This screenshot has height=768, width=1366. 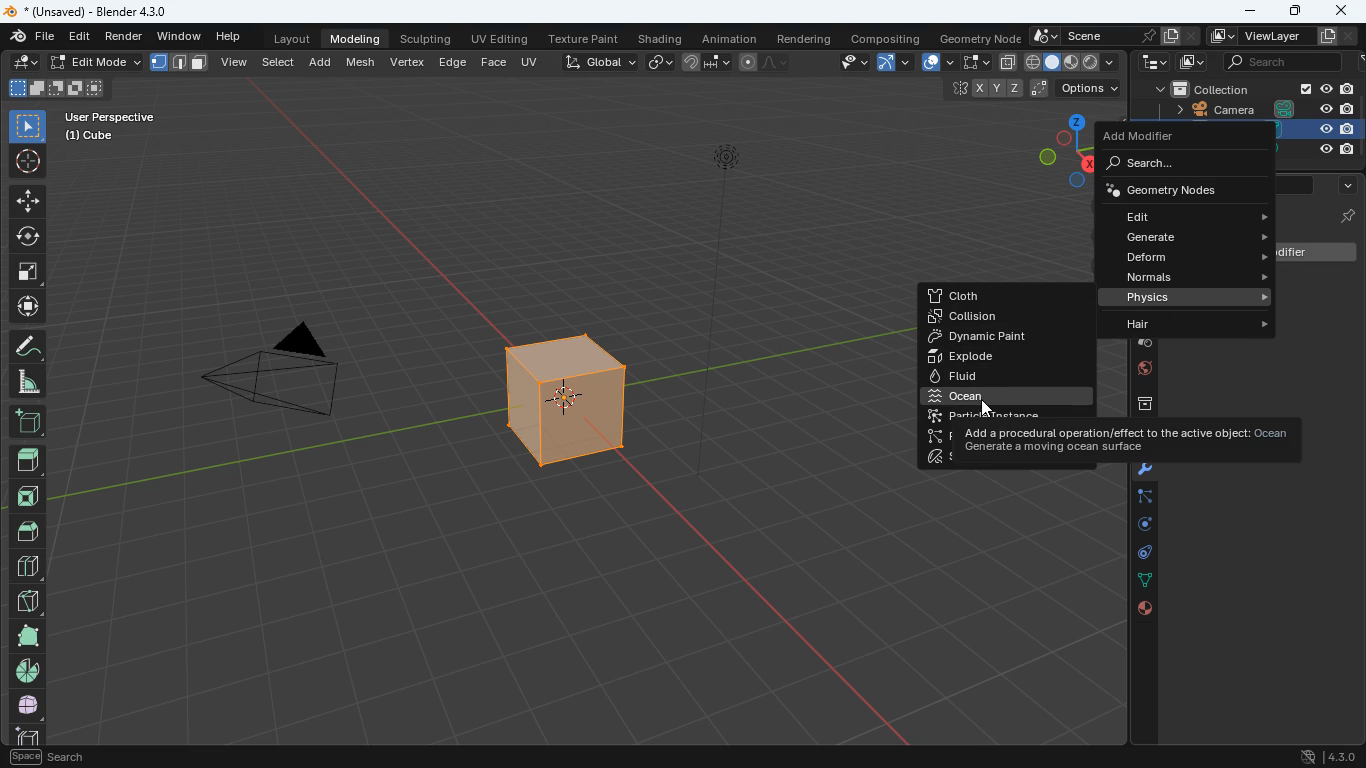 I want to click on scene, so click(x=1111, y=36).